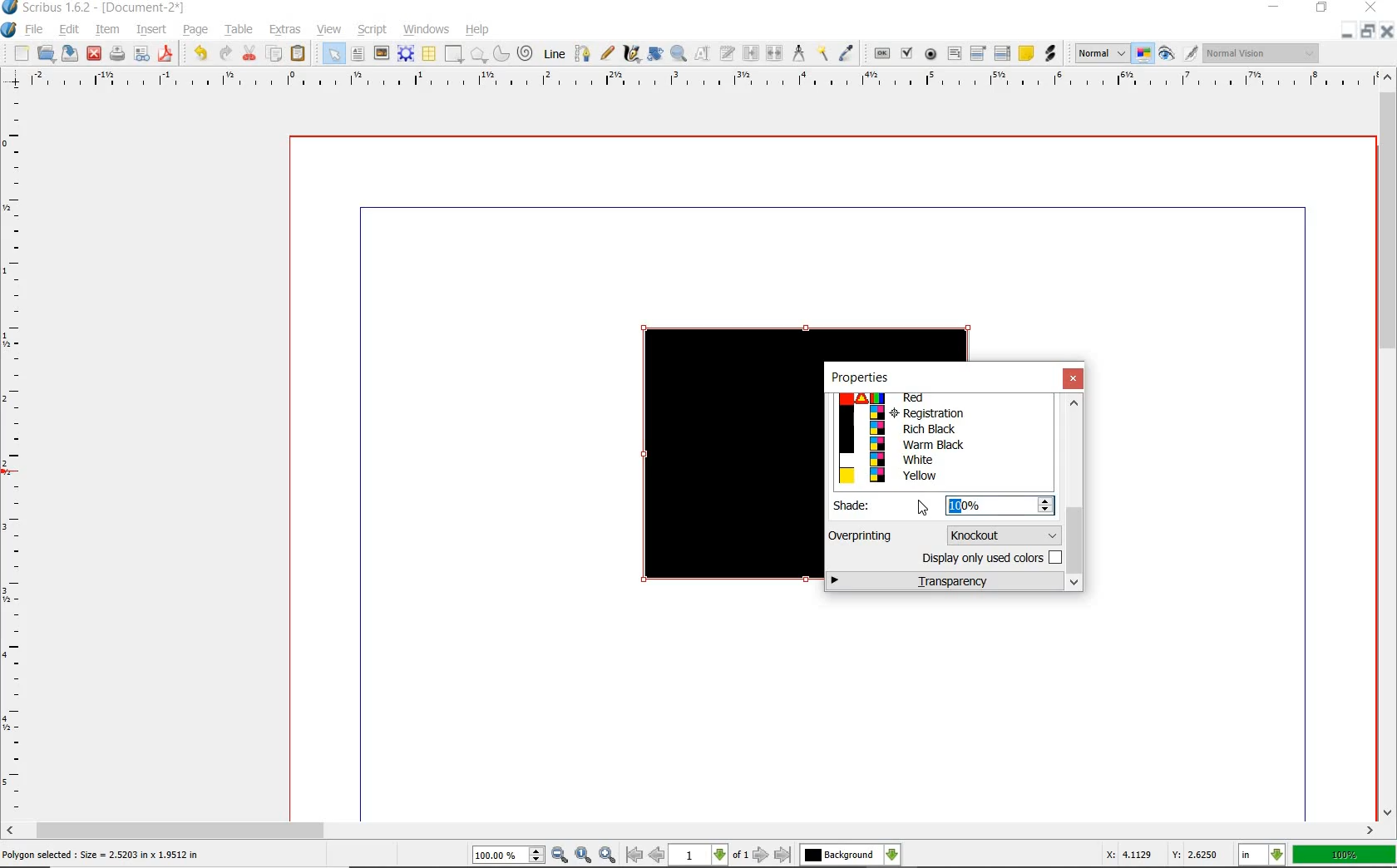  I want to click on pdf radio button, so click(927, 54).